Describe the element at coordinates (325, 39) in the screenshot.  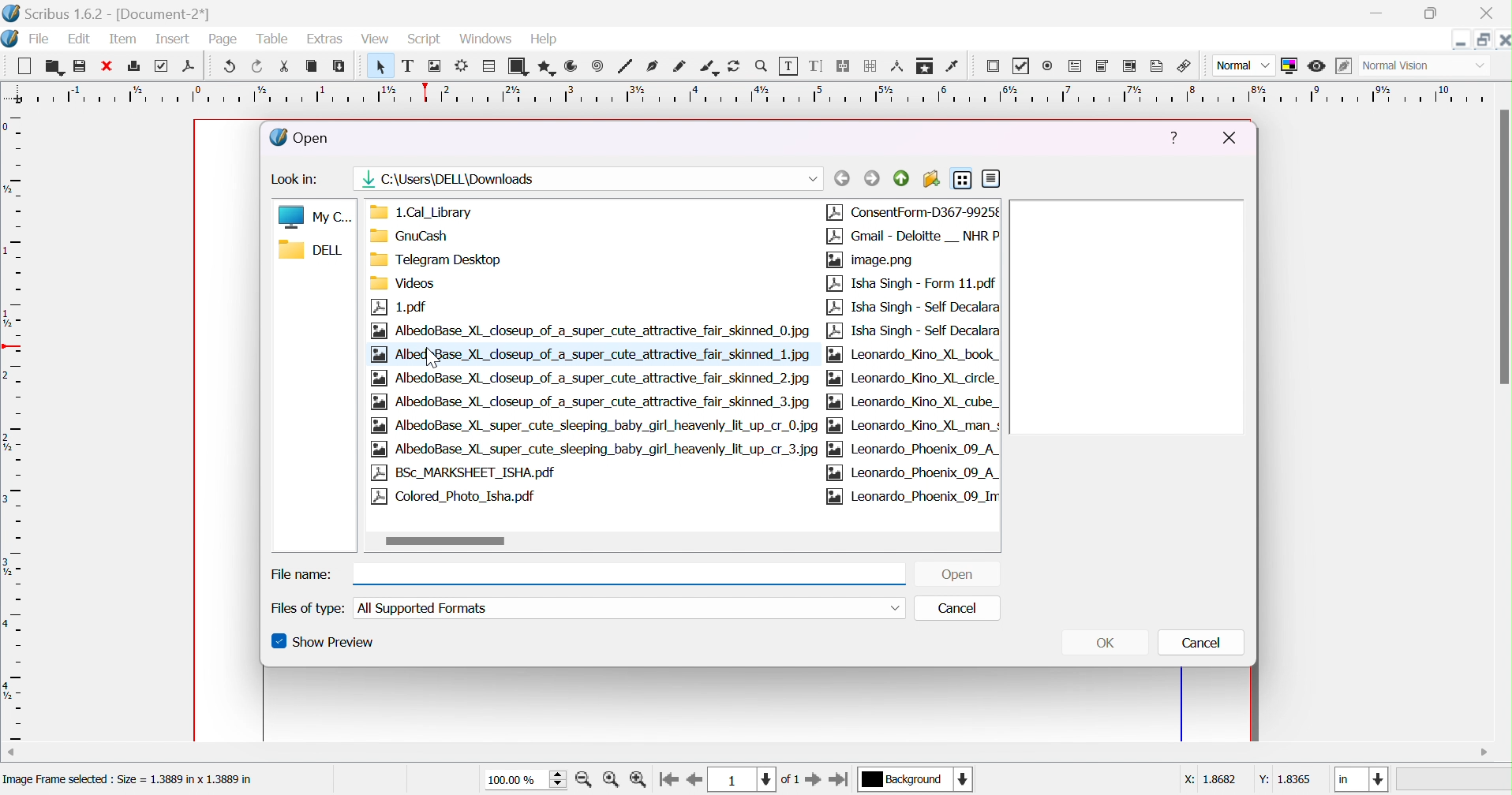
I see `extras` at that location.